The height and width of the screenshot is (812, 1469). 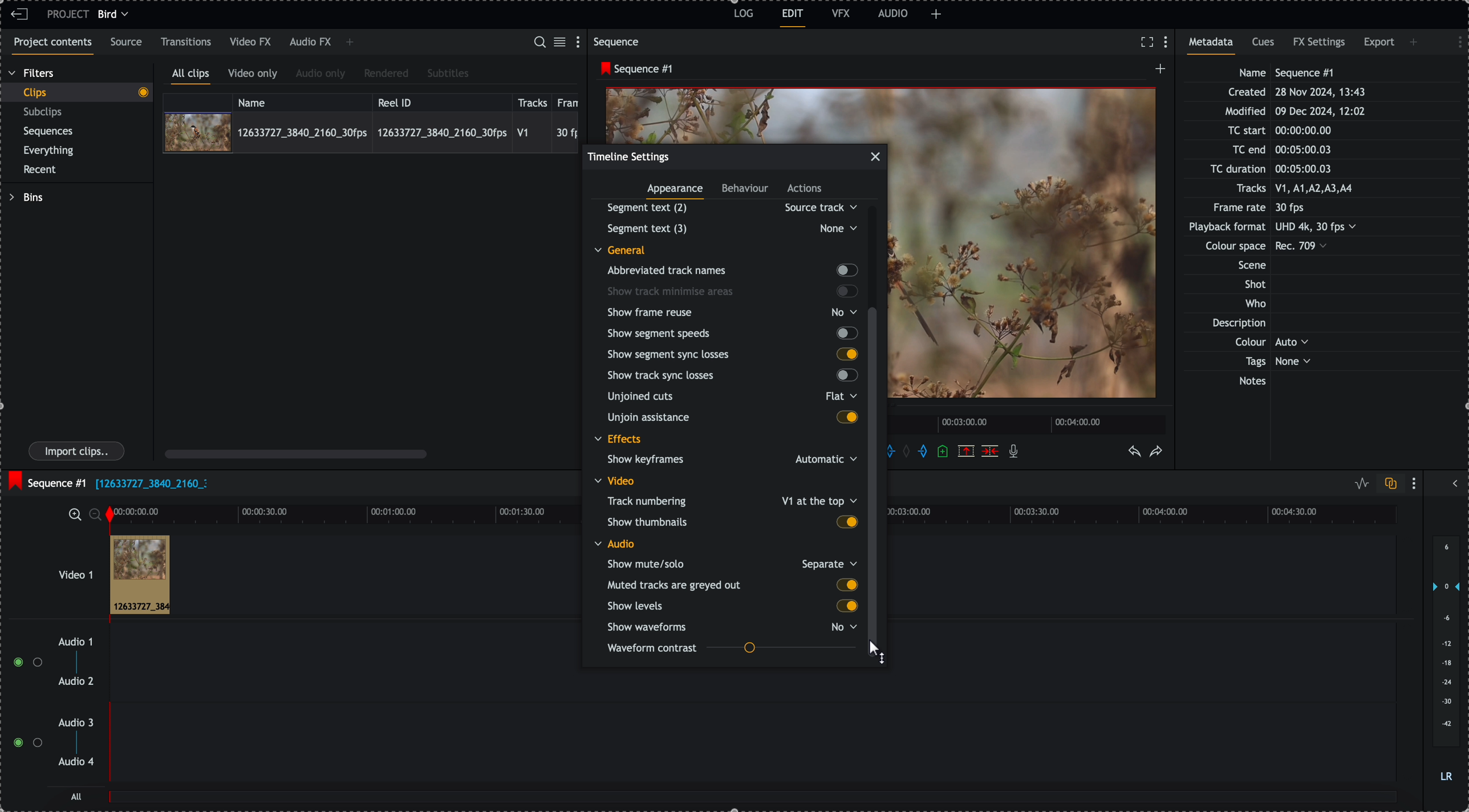 I want to click on show waveforms, so click(x=733, y=627).